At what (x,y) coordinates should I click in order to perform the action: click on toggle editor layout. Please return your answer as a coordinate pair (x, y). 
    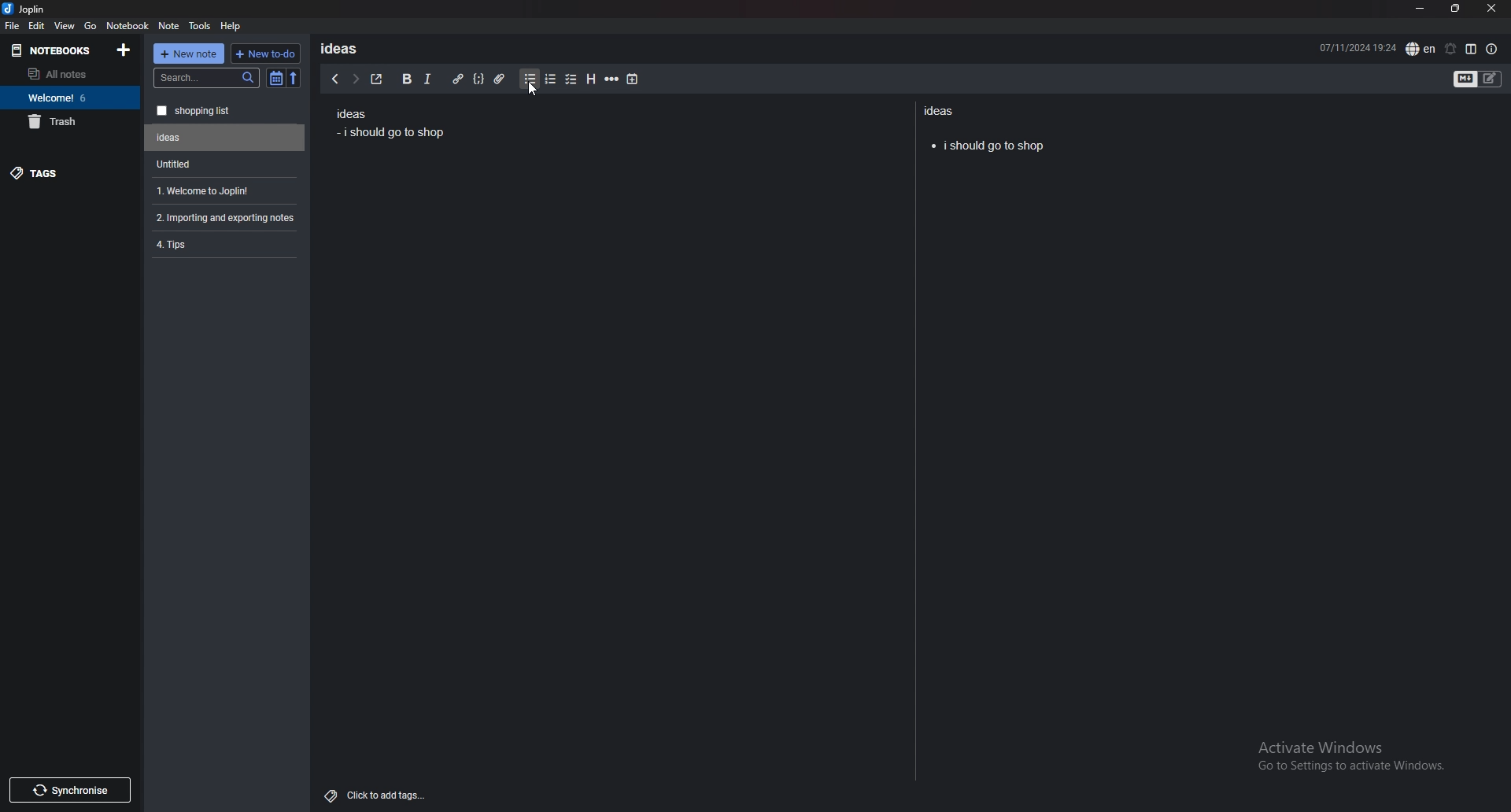
    Looking at the image, I should click on (1471, 49).